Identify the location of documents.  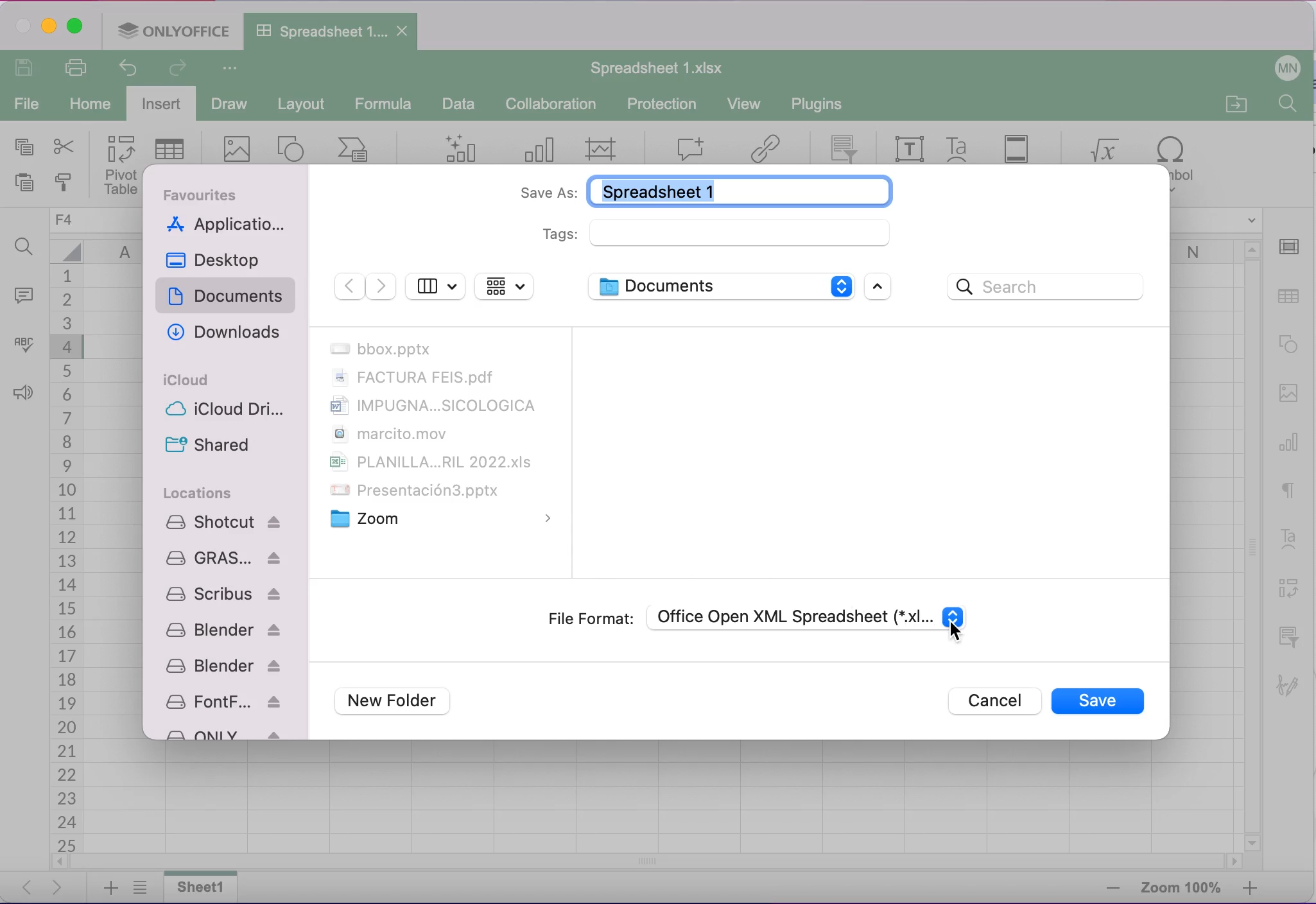
(438, 435).